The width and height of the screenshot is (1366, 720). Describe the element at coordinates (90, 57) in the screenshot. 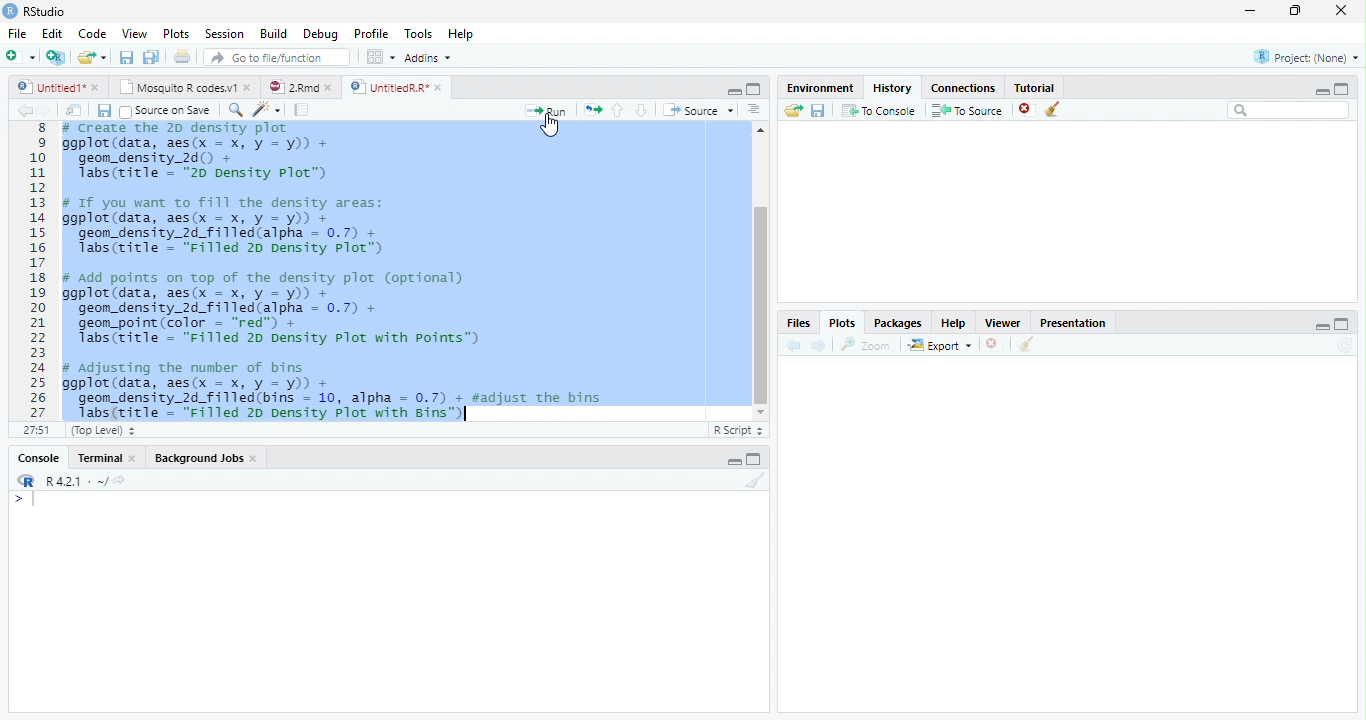

I see `open an existing file` at that location.